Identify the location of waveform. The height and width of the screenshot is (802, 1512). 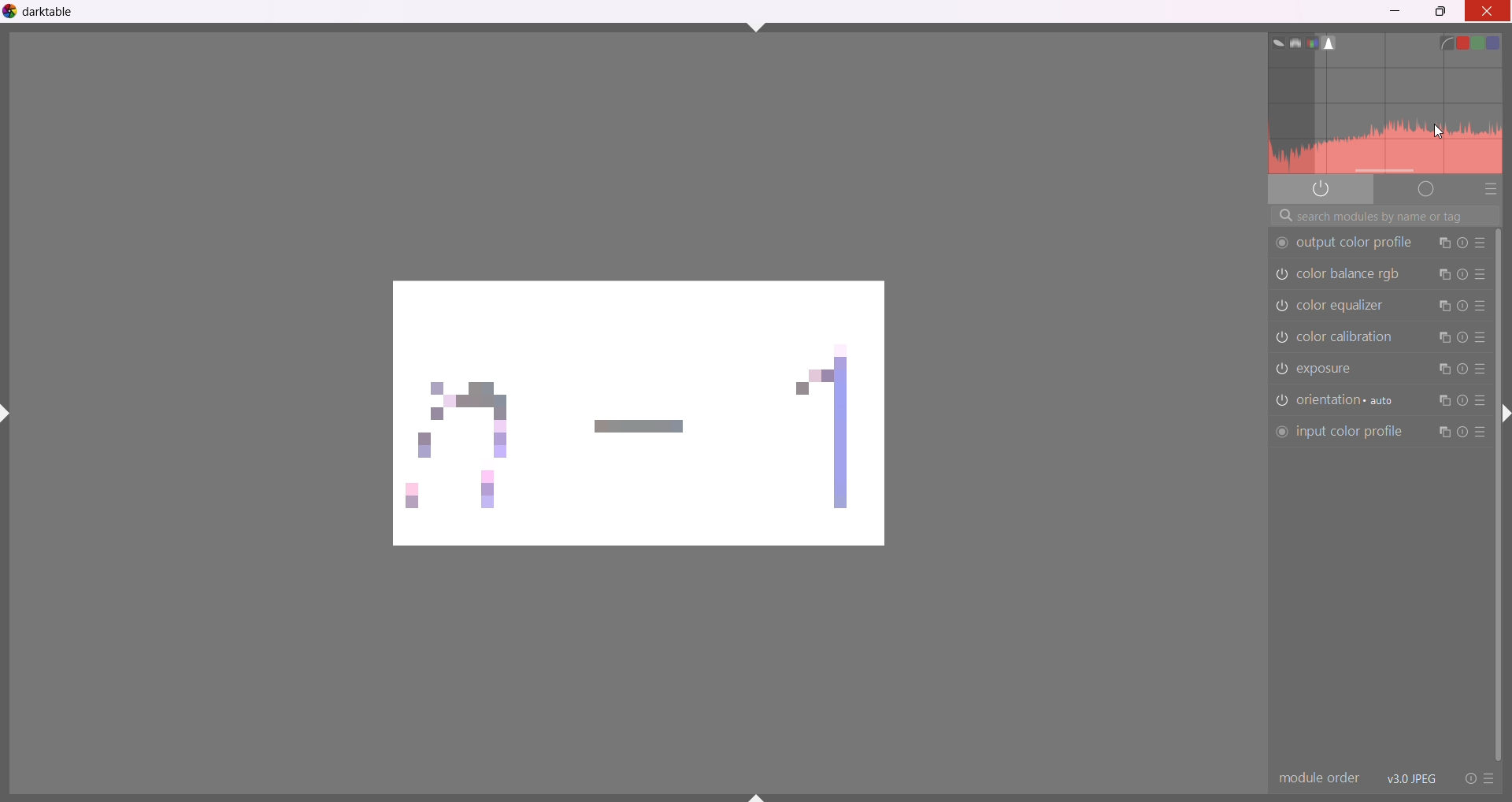
(1291, 42).